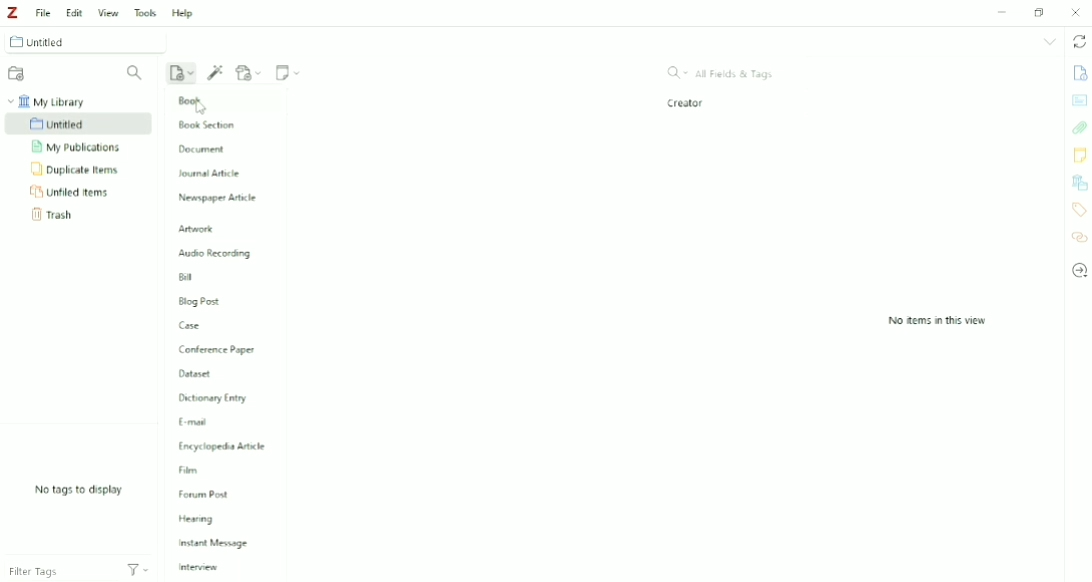  I want to click on Untitled, so click(89, 41).